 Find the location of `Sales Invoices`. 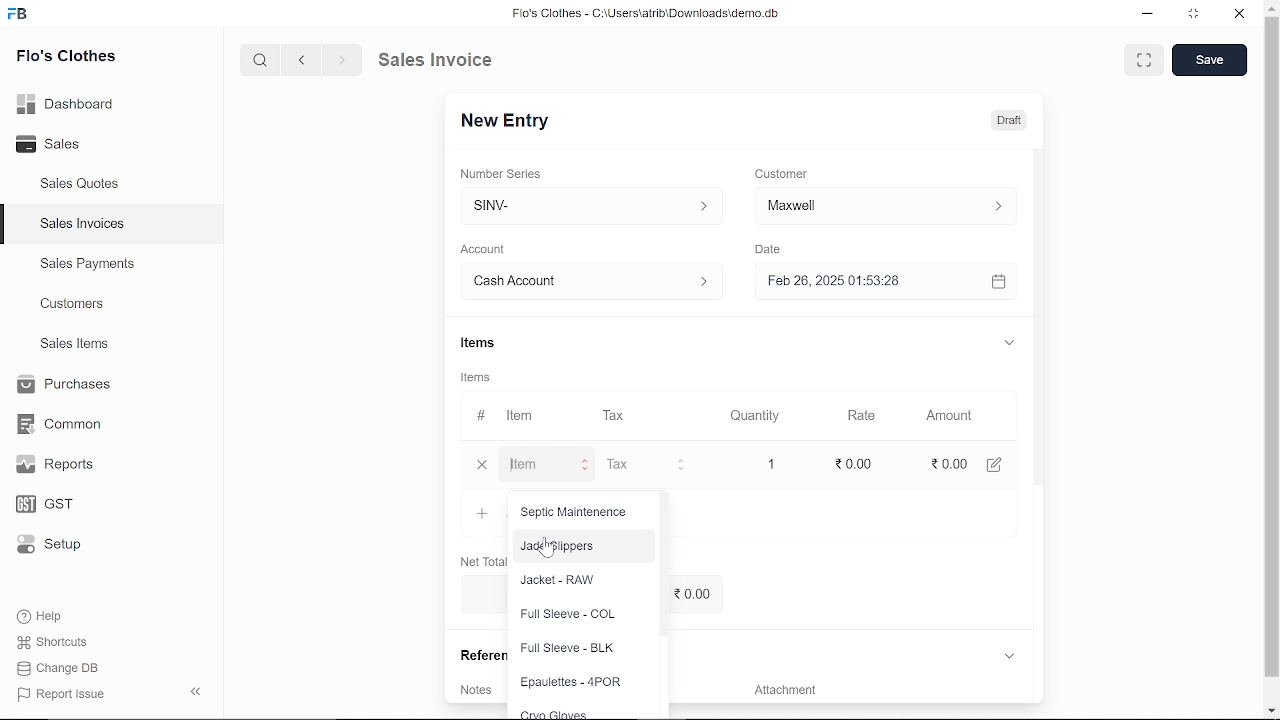

Sales Invoices is located at coordinates (89, 226).